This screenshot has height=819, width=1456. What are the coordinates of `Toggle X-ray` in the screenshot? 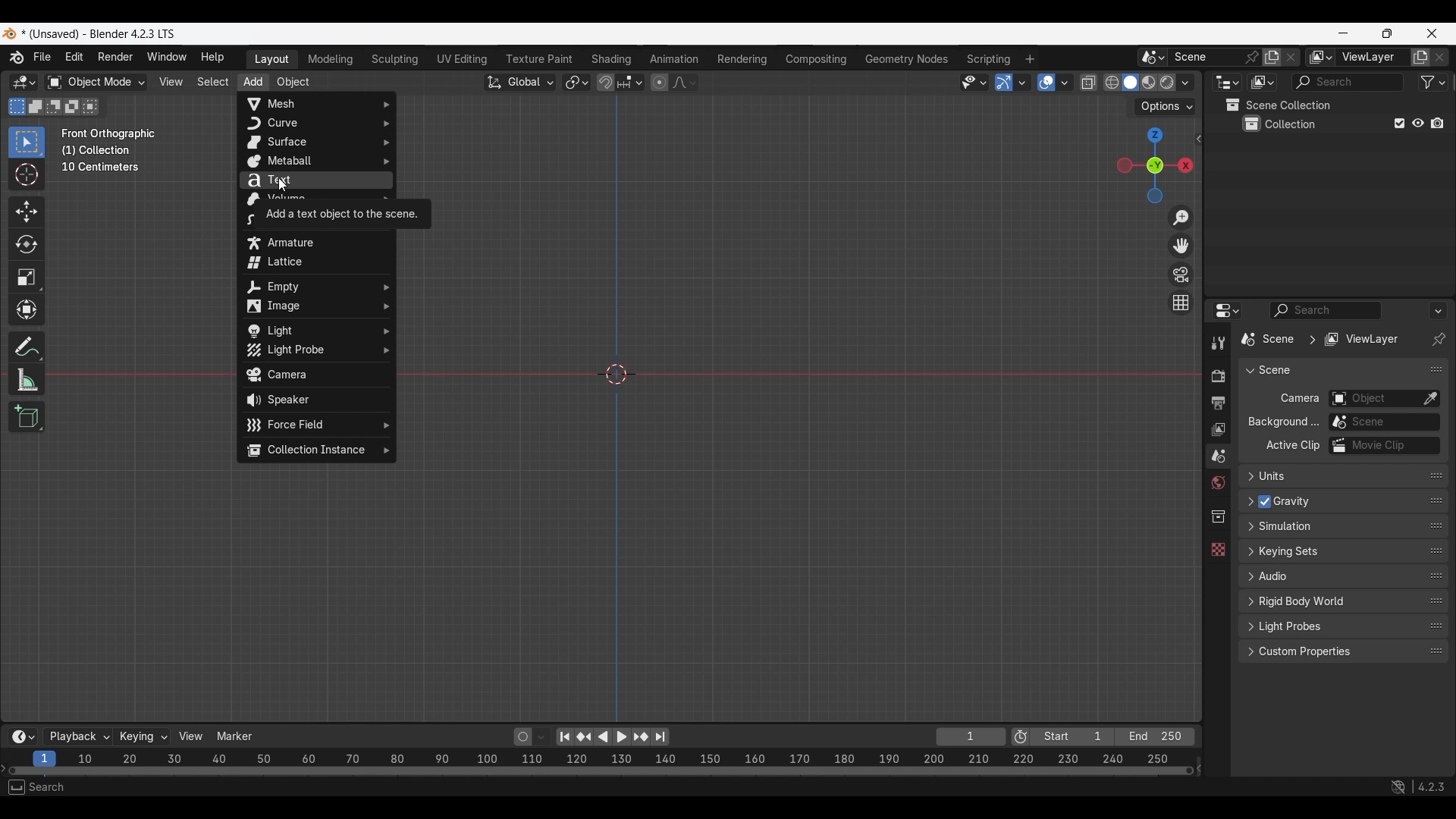 It's located at (1089, 83).